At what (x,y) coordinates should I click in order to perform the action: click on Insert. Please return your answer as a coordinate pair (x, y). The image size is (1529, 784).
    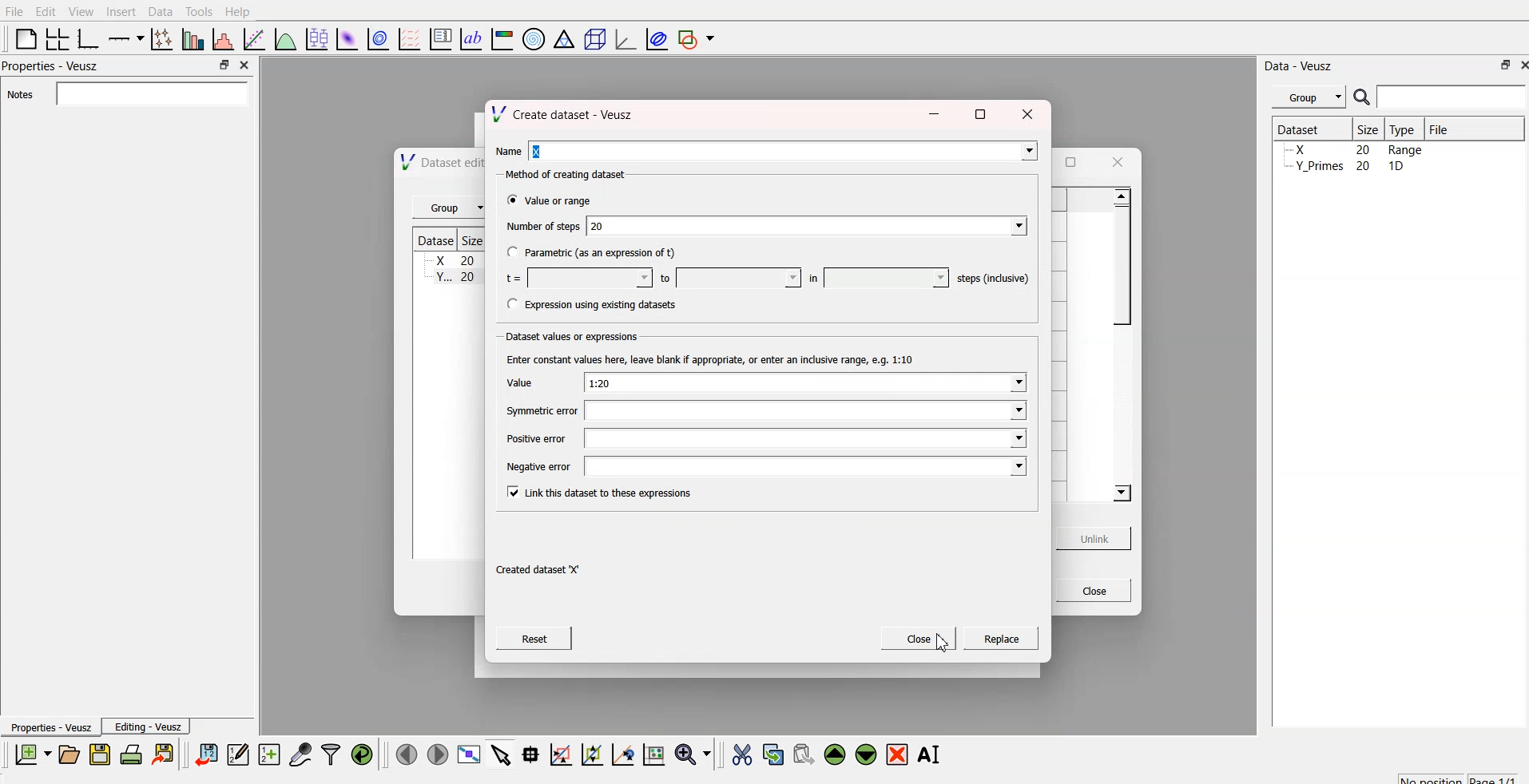
    Looking at the image, I should click on (121, 11).